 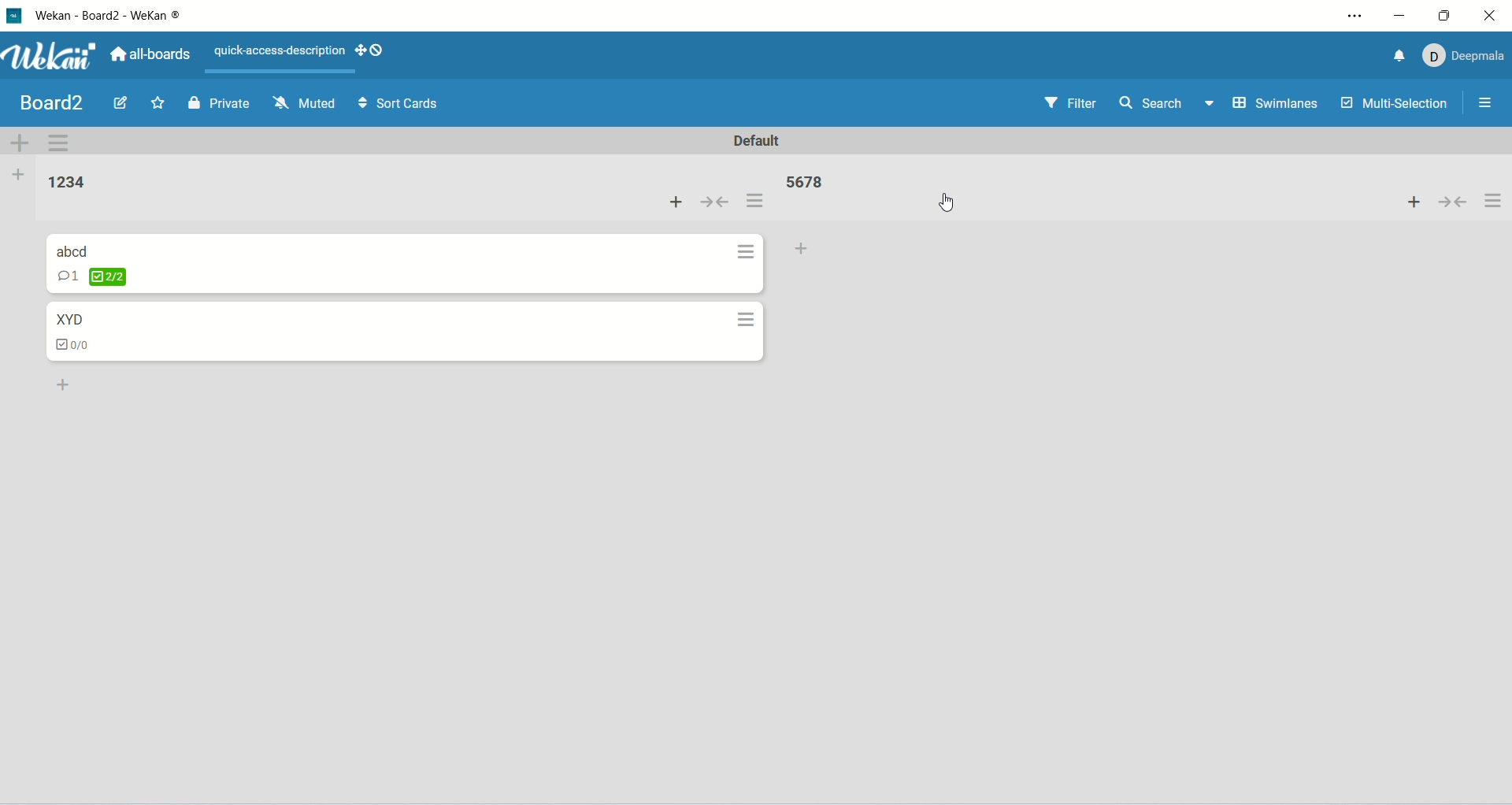 What do you see at coordinates (1403, 19) in the screenshot?
I see `minimize` at bounding box center [1403, 19].